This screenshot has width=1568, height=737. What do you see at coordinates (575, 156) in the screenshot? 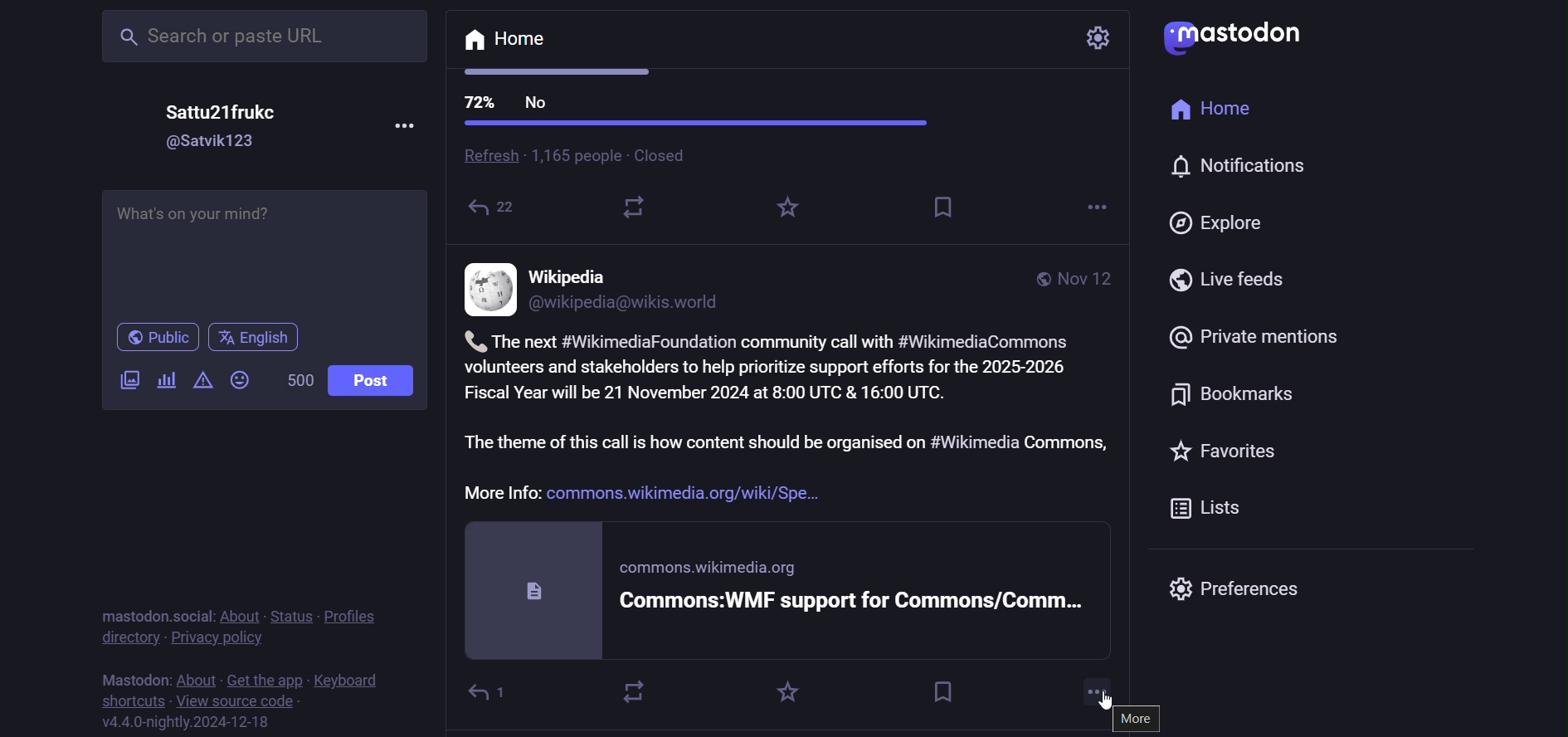
I see `1.165 people` at bounding box center [575, 156].